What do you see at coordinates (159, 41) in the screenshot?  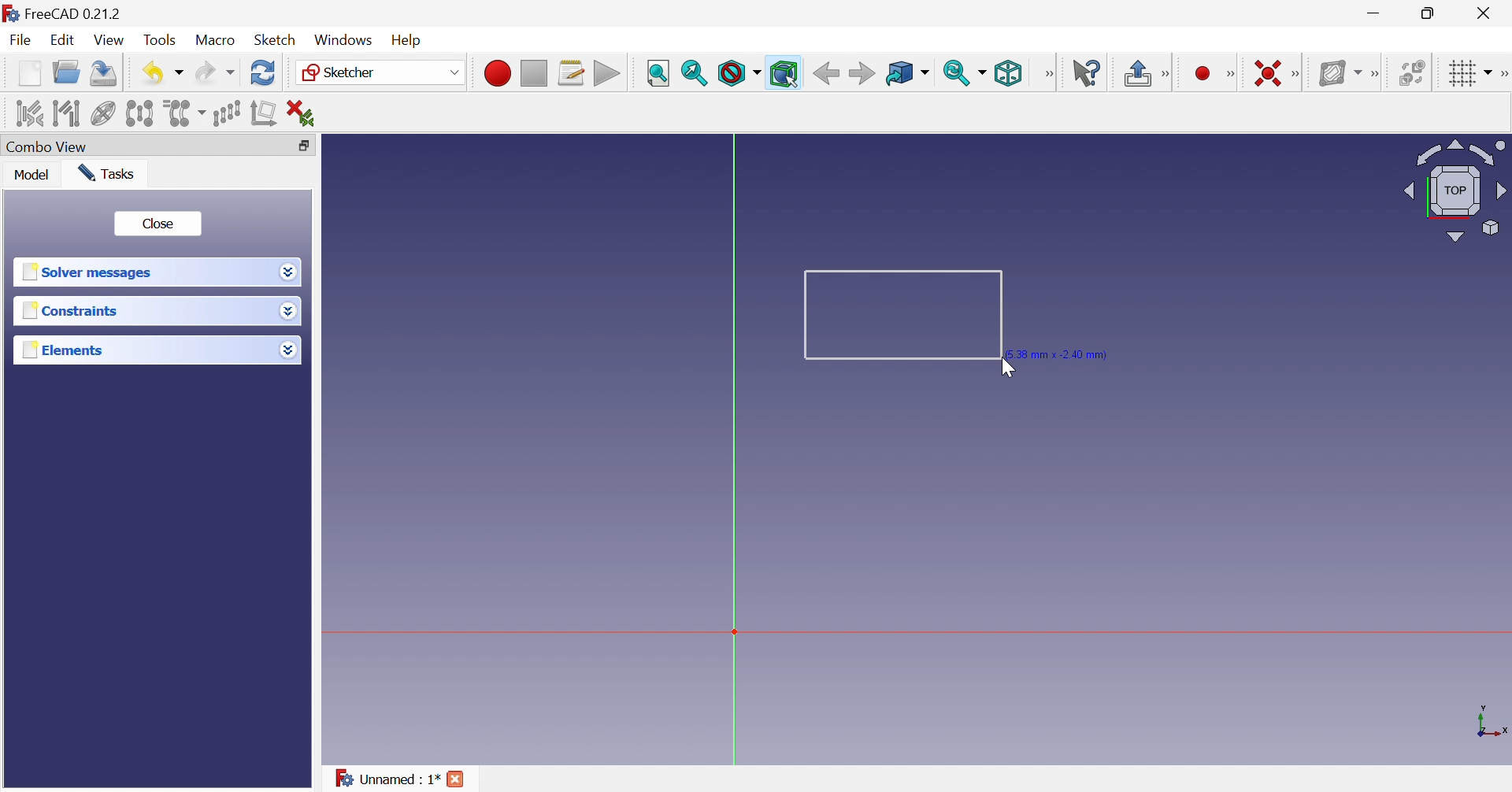 I see `Tools` at bounding box center [159, 41].